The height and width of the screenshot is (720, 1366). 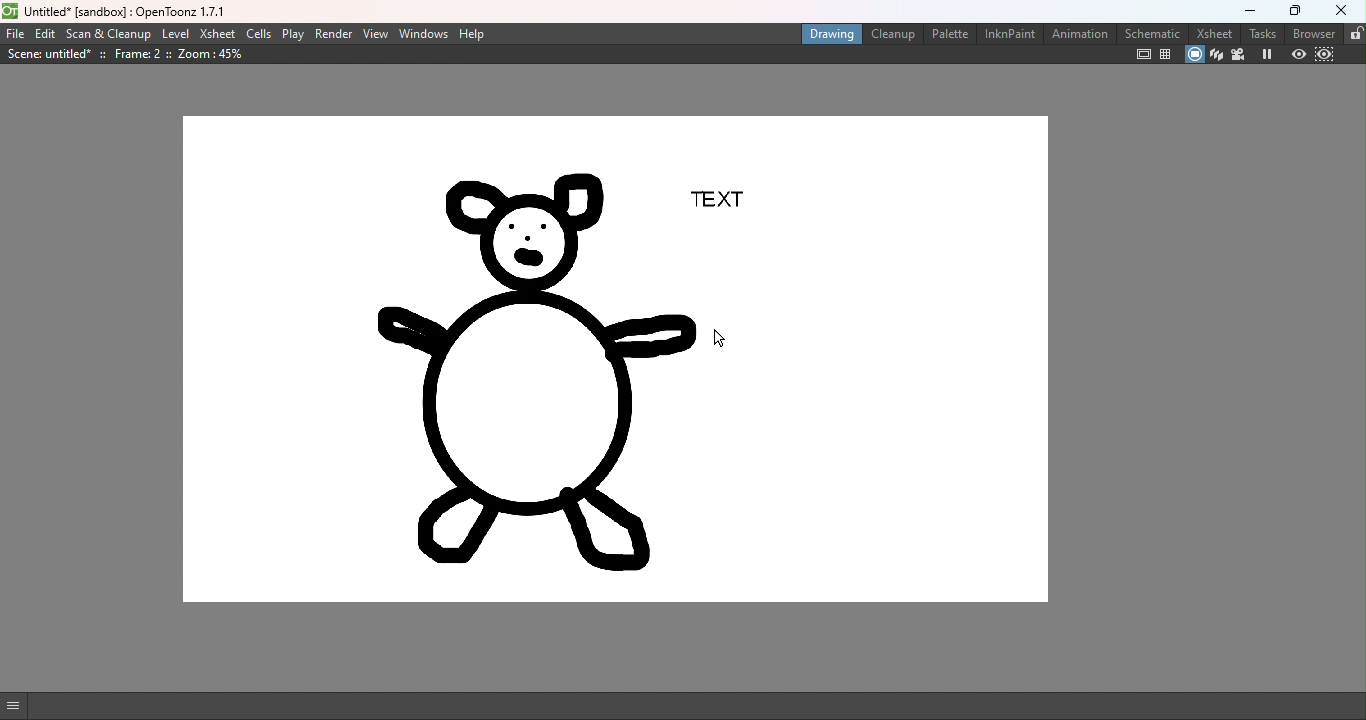 What do you see at coordinates (1343, 12) in the screenshot?
I see `Close` at bounding box center [1343, 12].